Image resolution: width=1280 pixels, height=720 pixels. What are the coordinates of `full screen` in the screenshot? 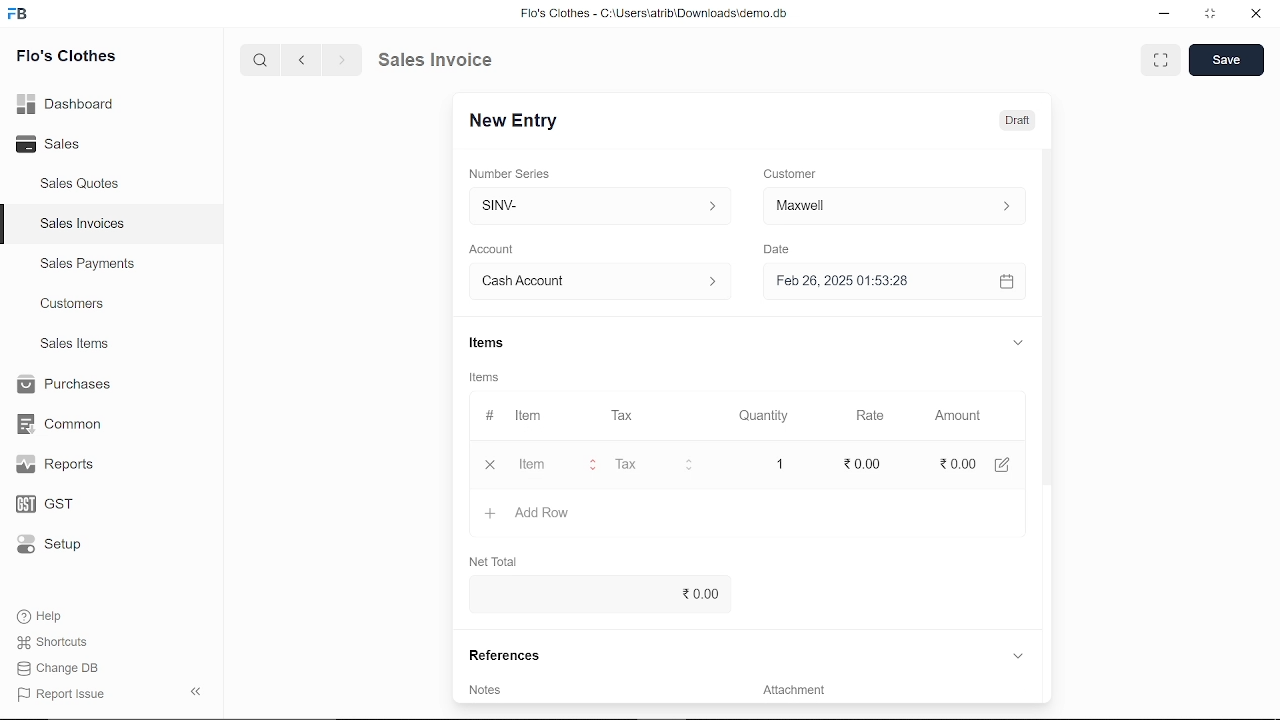 It's located at (1160, 60).